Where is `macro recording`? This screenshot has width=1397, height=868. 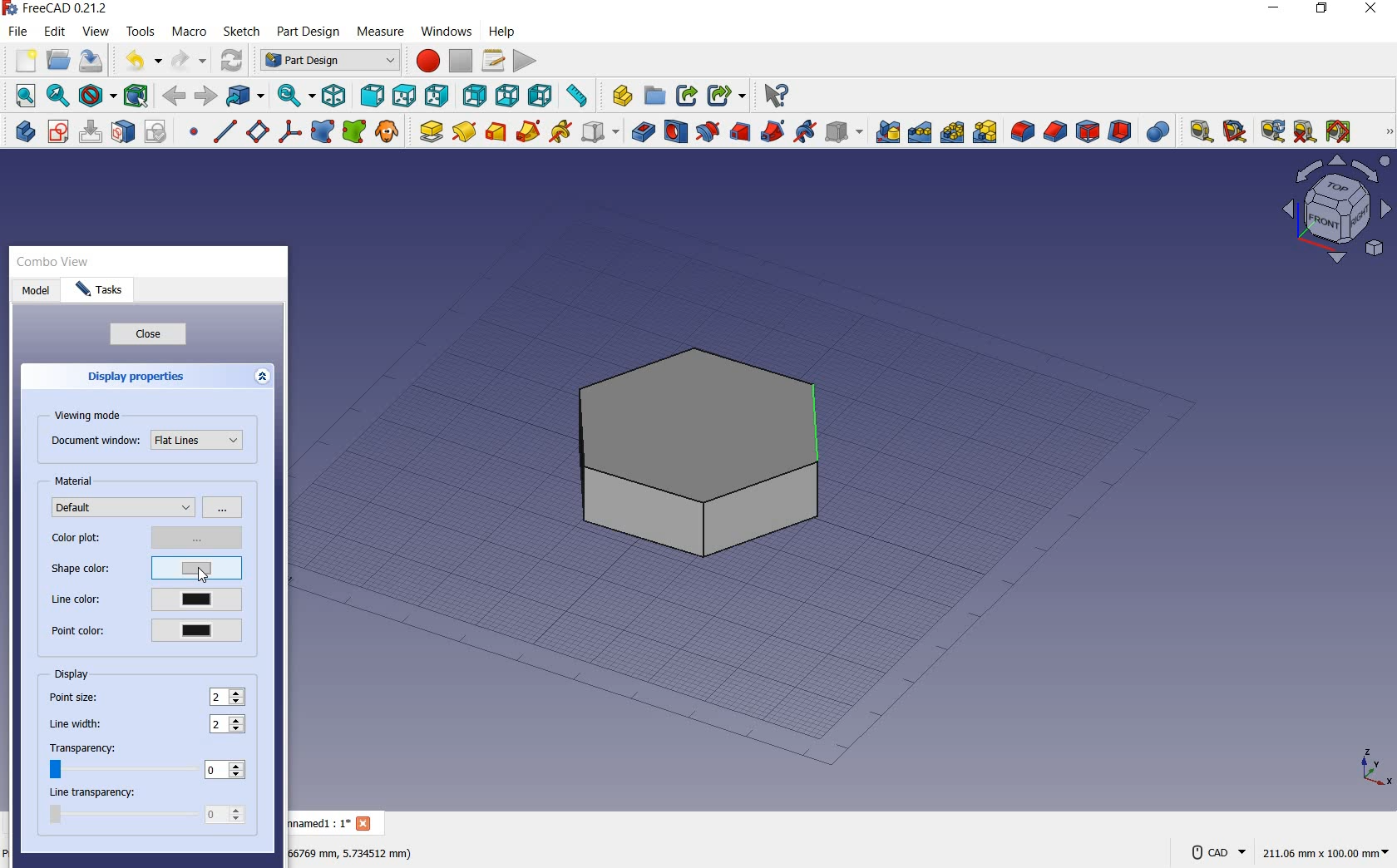 macro recording is located at coordinates (425, 62).